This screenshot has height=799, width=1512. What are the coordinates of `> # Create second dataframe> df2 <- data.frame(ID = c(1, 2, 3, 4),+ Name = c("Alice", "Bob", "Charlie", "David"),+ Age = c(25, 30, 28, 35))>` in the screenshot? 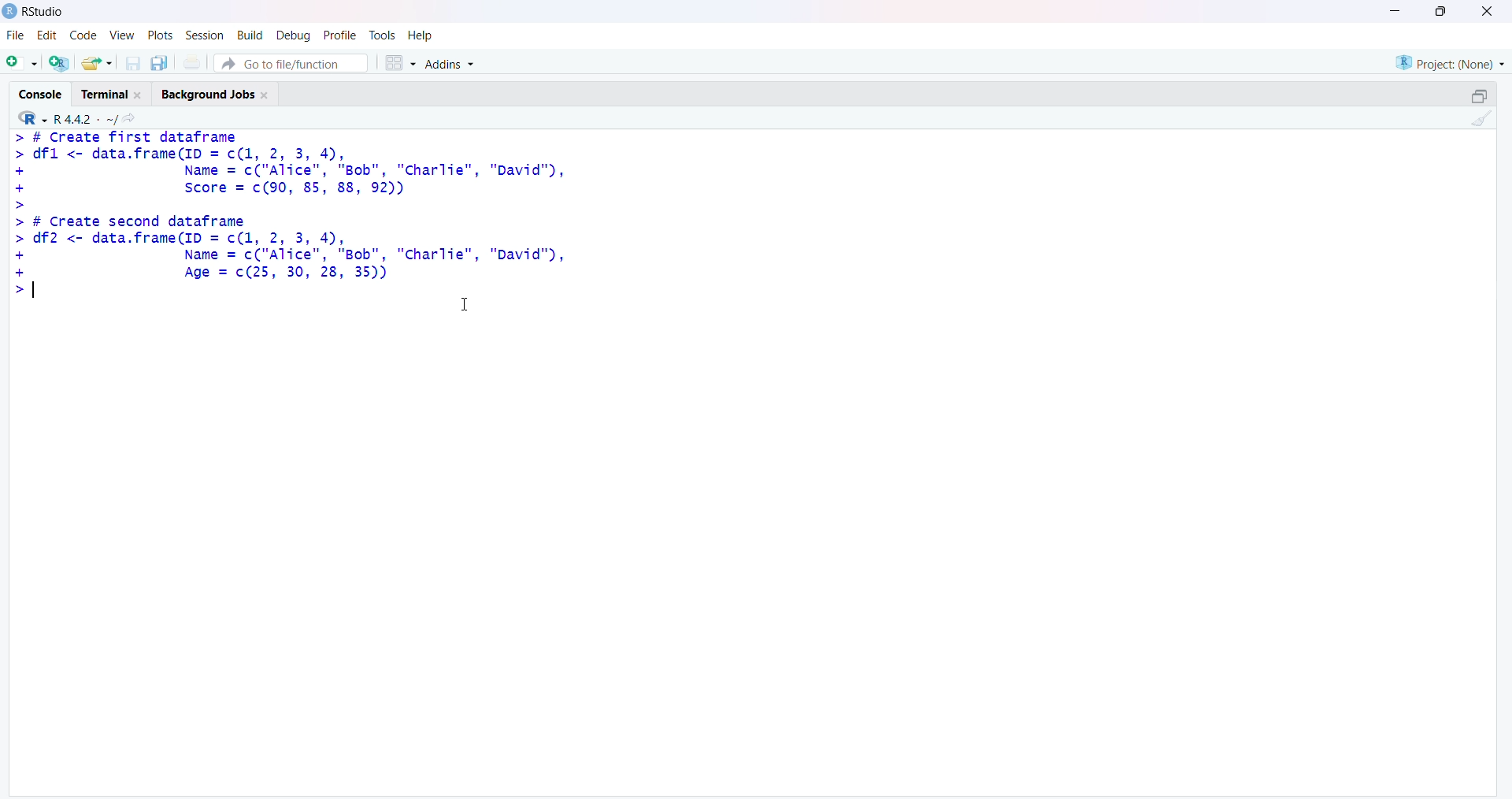 It's located at (292, 257).